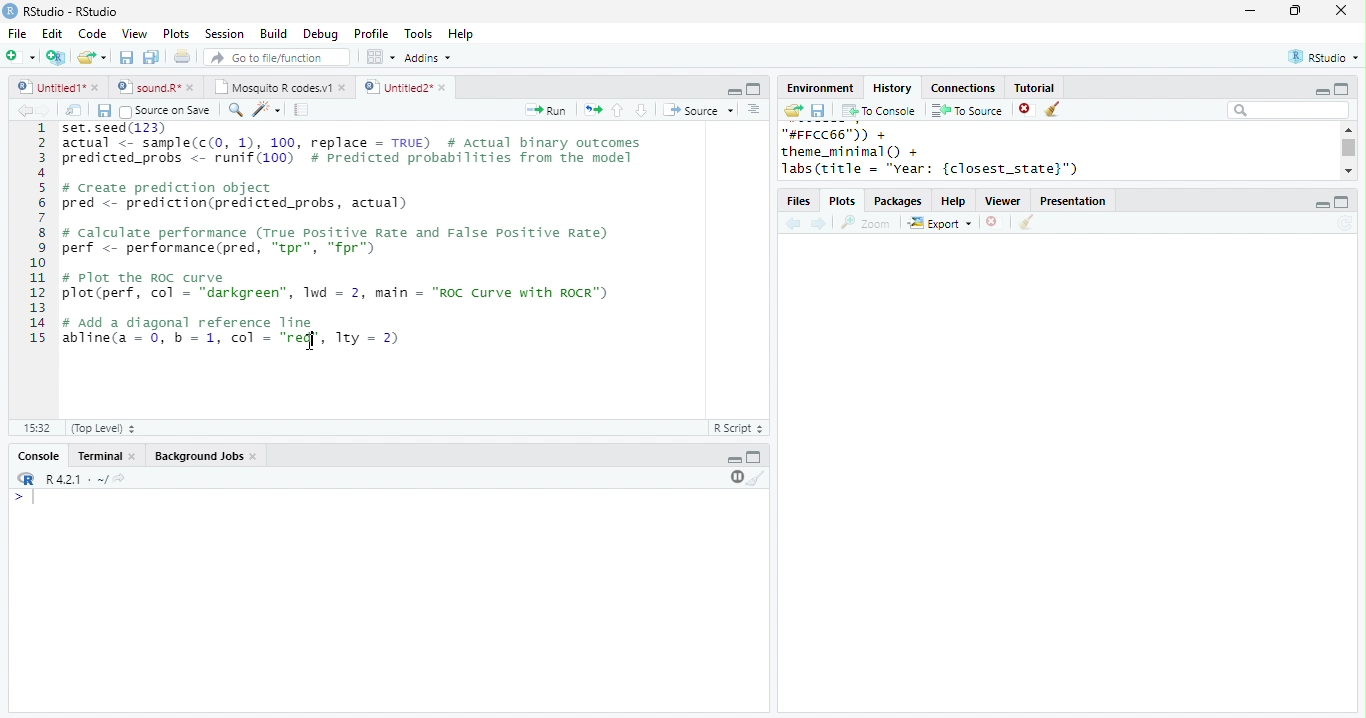 The image size is (1366, 718). Describe the element at coordinates (39, 235) in the screenshot. I see `line numbering` at that location.